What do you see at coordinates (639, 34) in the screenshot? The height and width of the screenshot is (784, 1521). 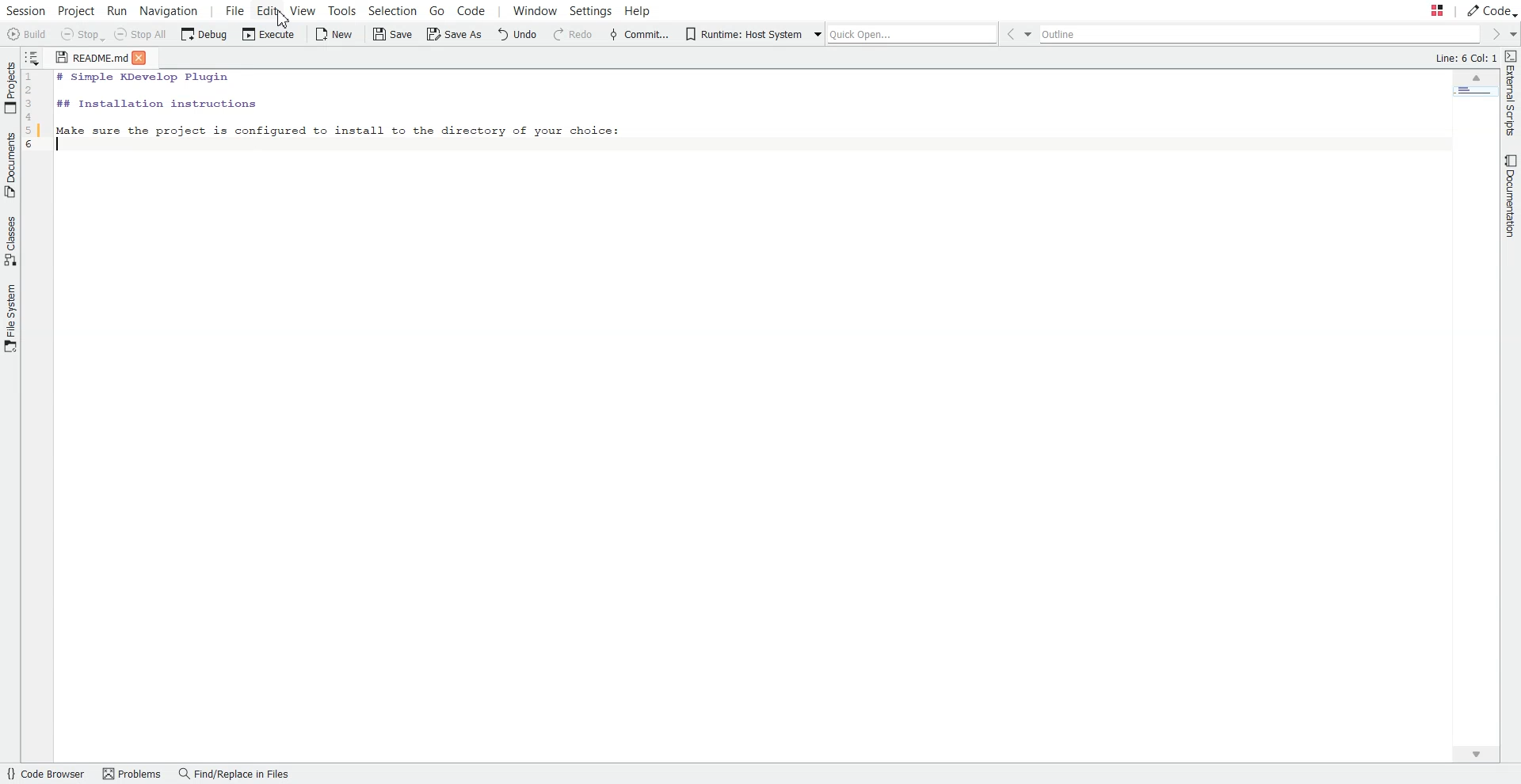 I see `Commit` at bounding box center [639, 34].